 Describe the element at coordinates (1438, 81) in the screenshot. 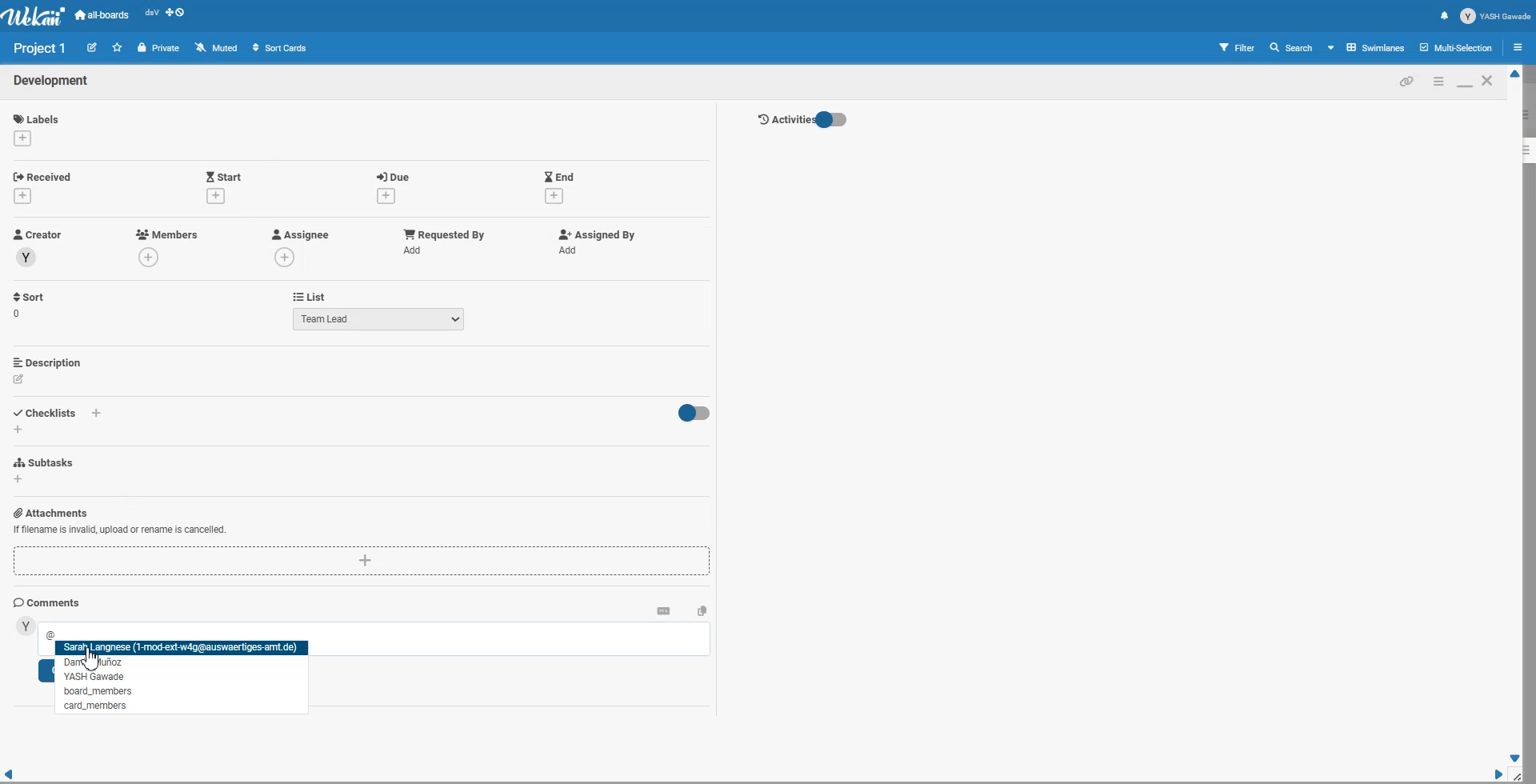

I see `Minimize` at that location.